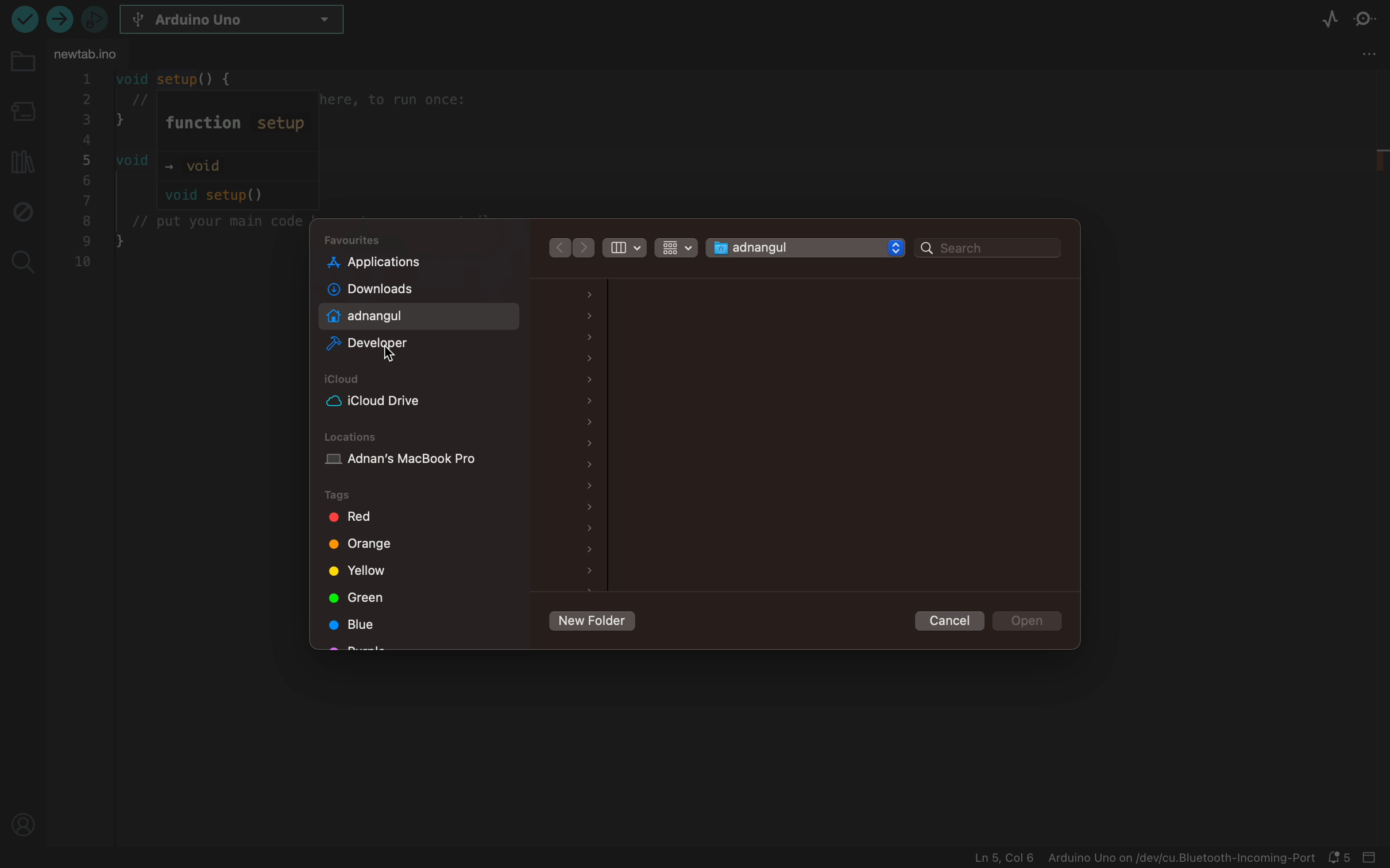 This screenshot has width=1390, height=868. What do you see at coordinates (361, 571) in the screenshot?
I see `tags` at bounding box center [361, 571].